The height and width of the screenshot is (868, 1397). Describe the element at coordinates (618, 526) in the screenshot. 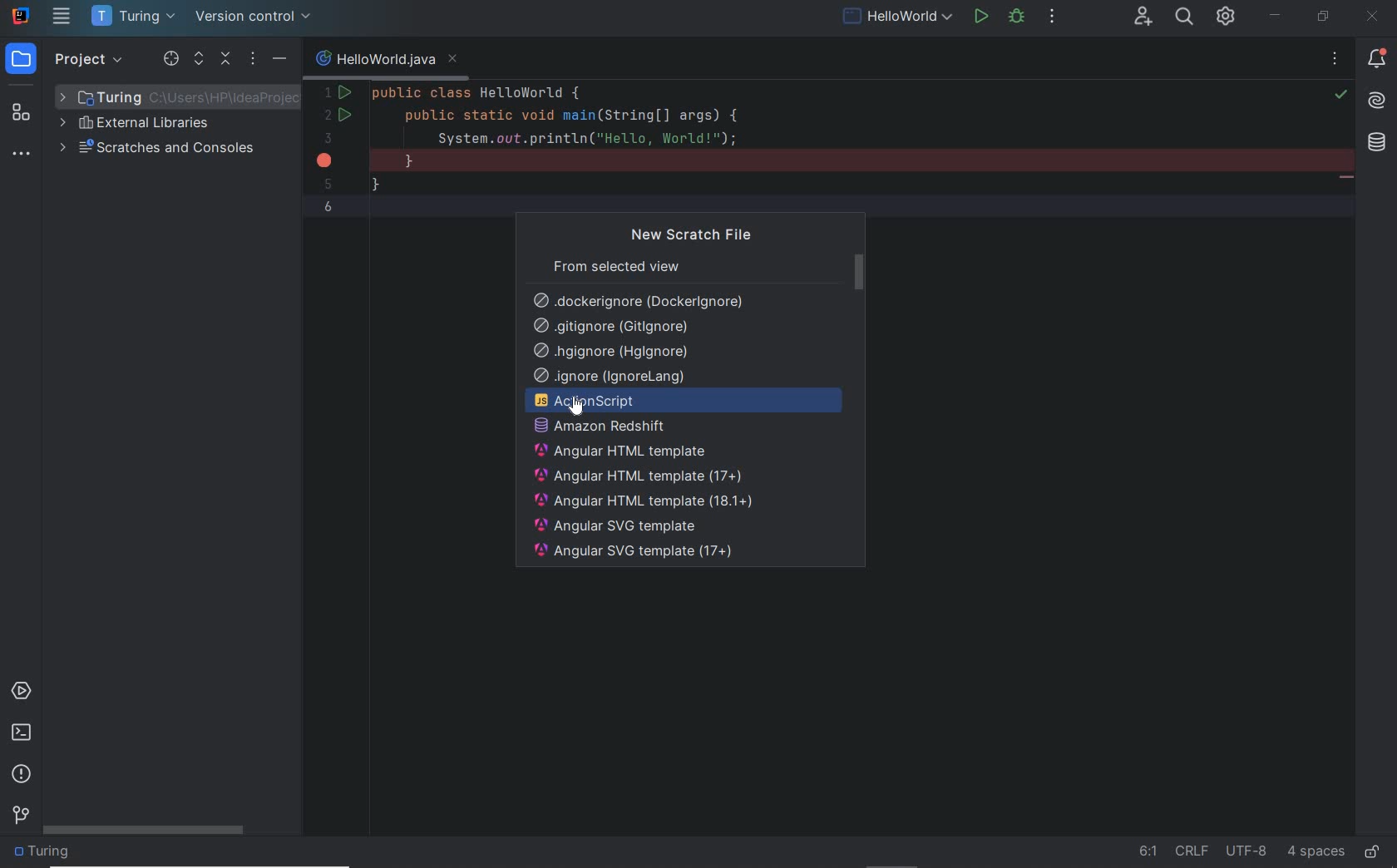

I see `angular SVG template` at that location.